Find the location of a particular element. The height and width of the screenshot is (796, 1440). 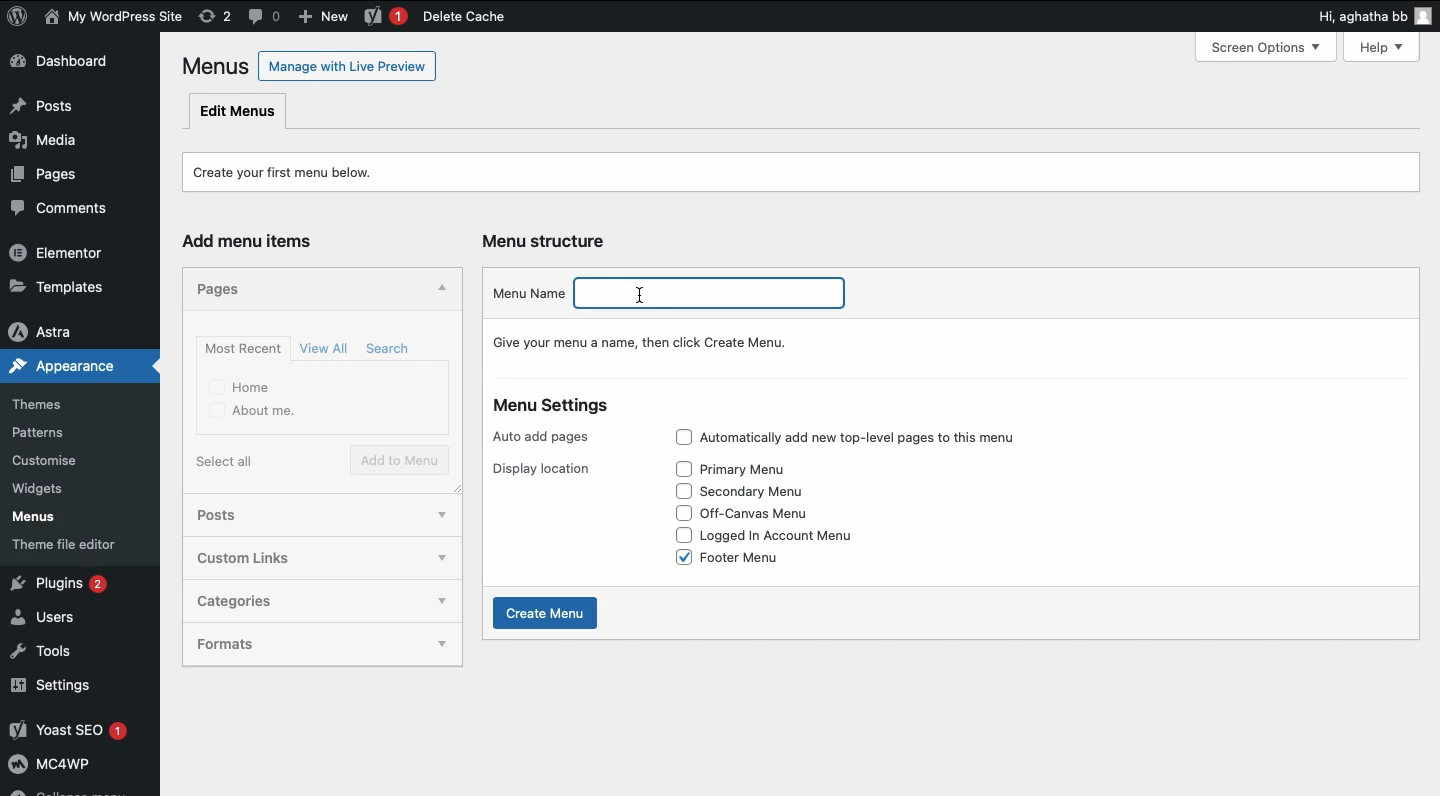

Check box is located at coordinates (676, 491).